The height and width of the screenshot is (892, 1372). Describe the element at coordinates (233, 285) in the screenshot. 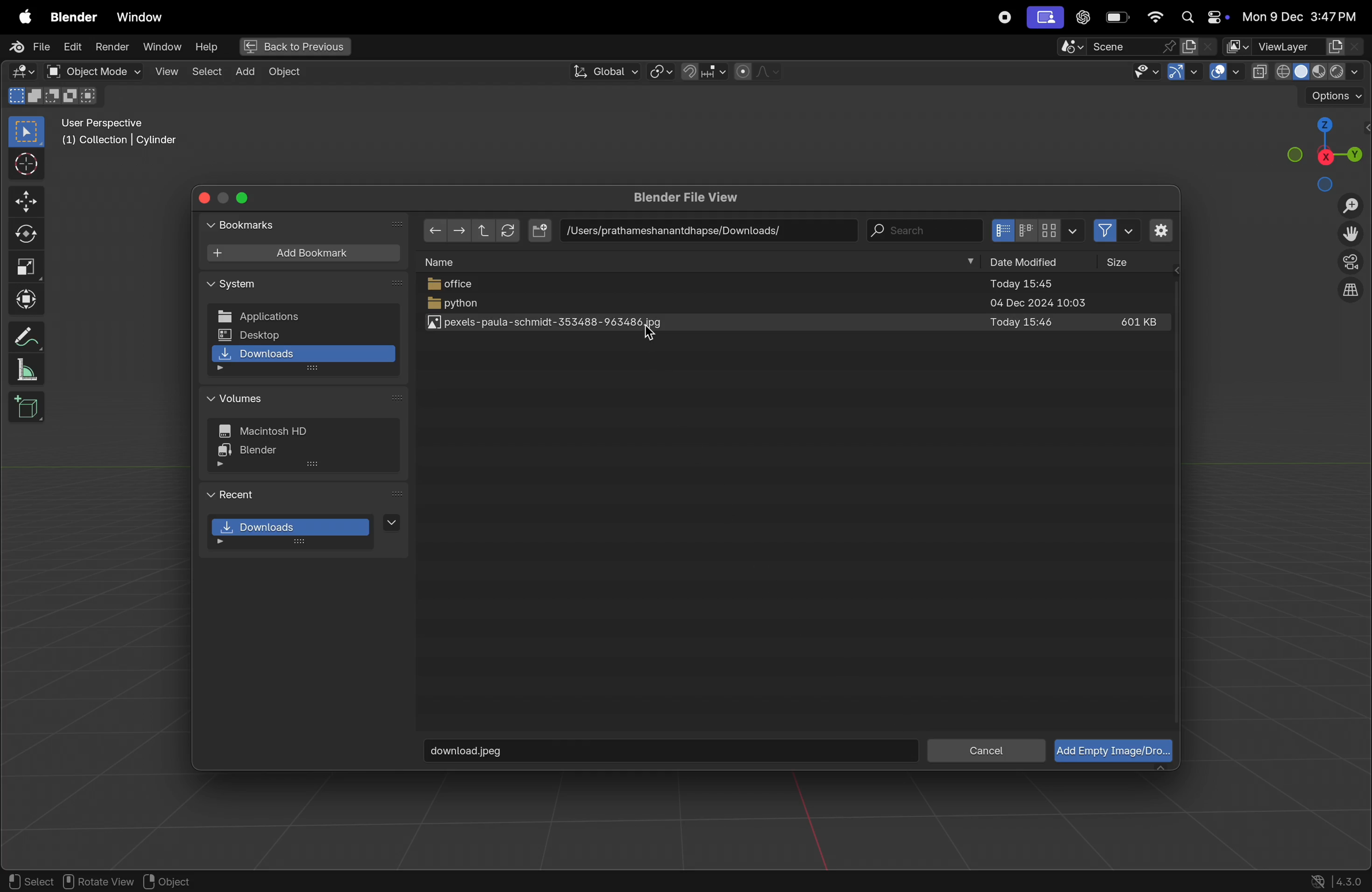

I see `system` at that location.